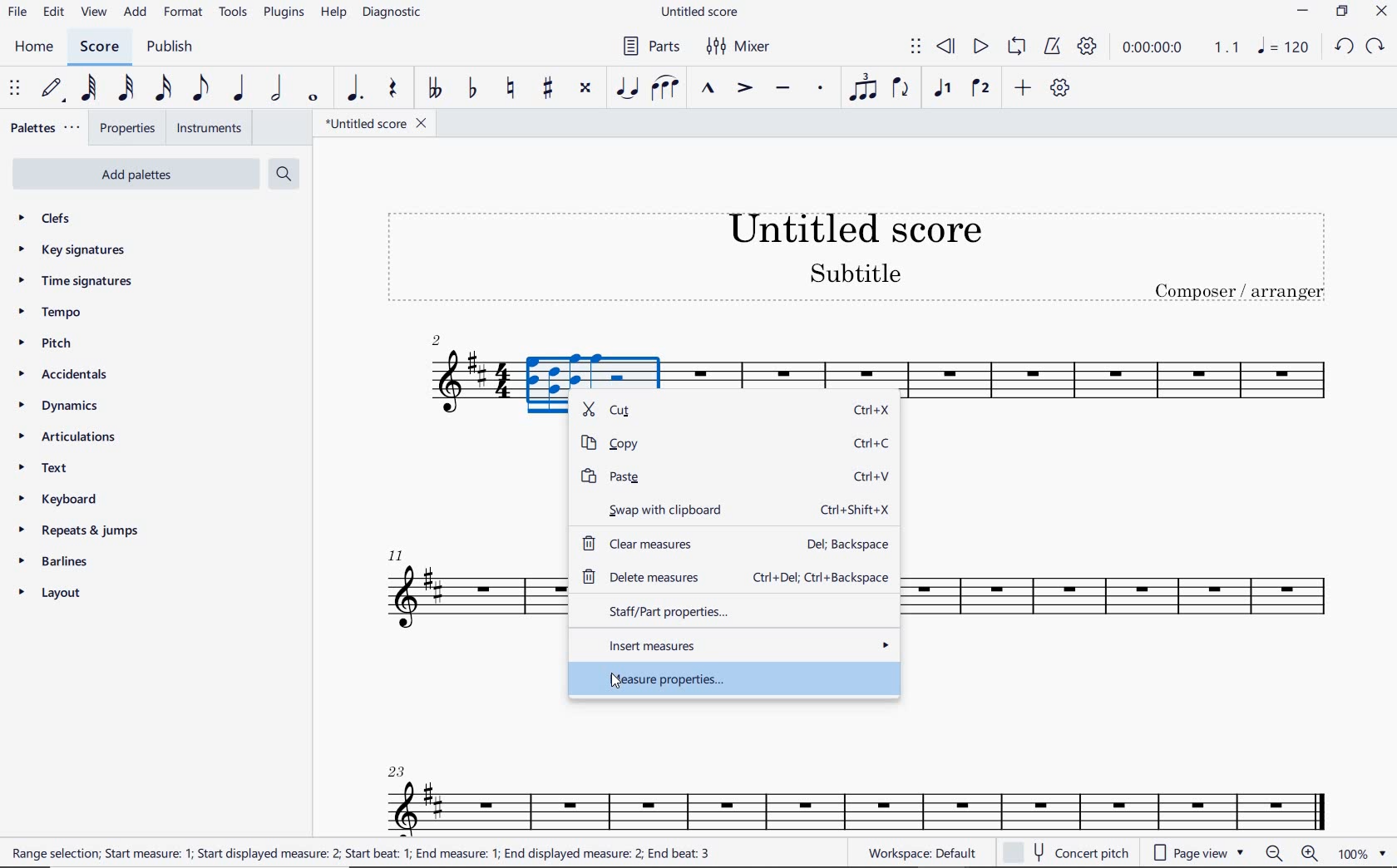 This screenshot has width=1397, height=868. Describe the element at coordinates (33, 47) in the screenshot. I see `HOME` at that location.